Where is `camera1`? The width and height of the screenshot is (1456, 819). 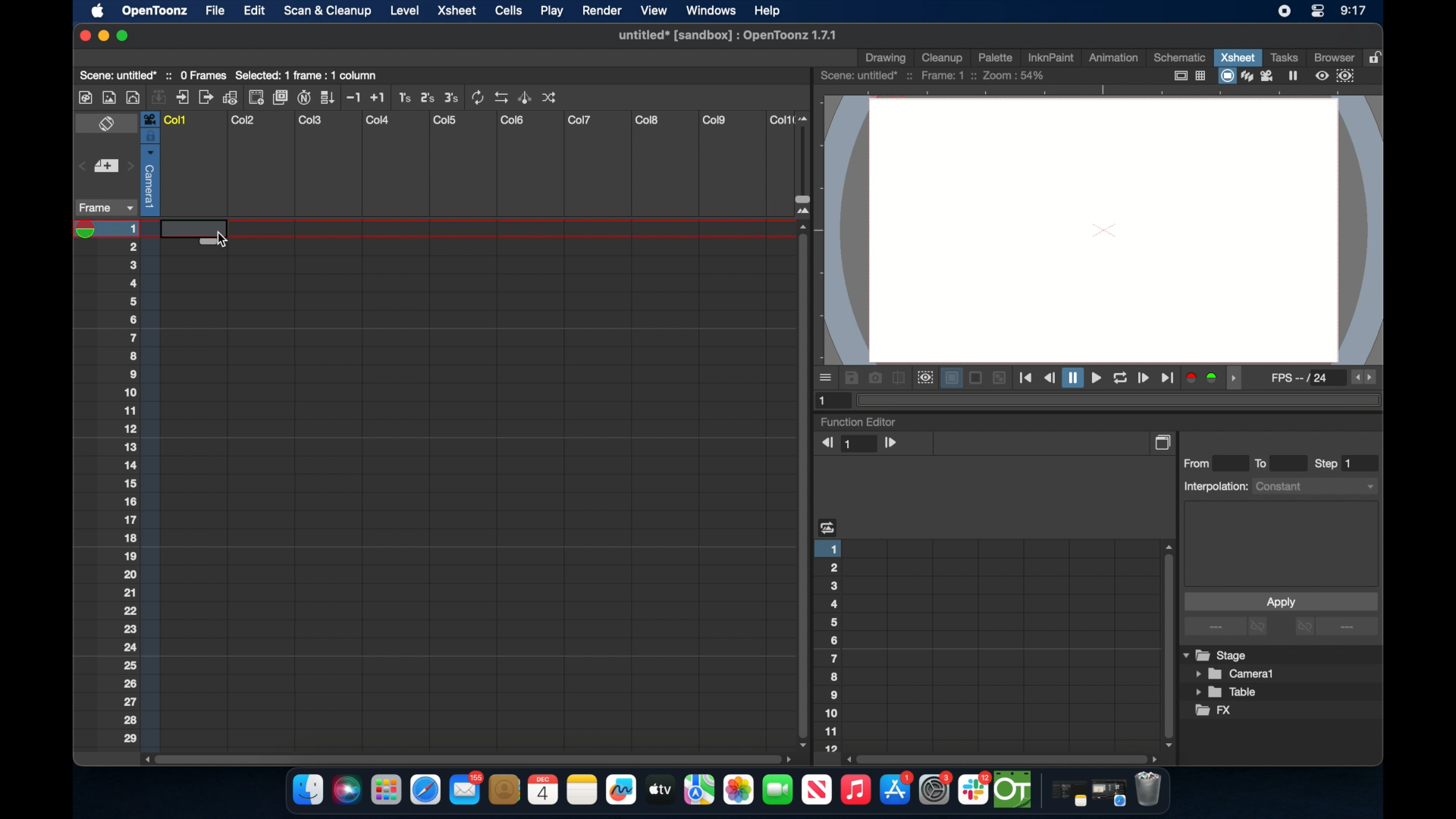
camera1 is located at coordinates (1236, 674).